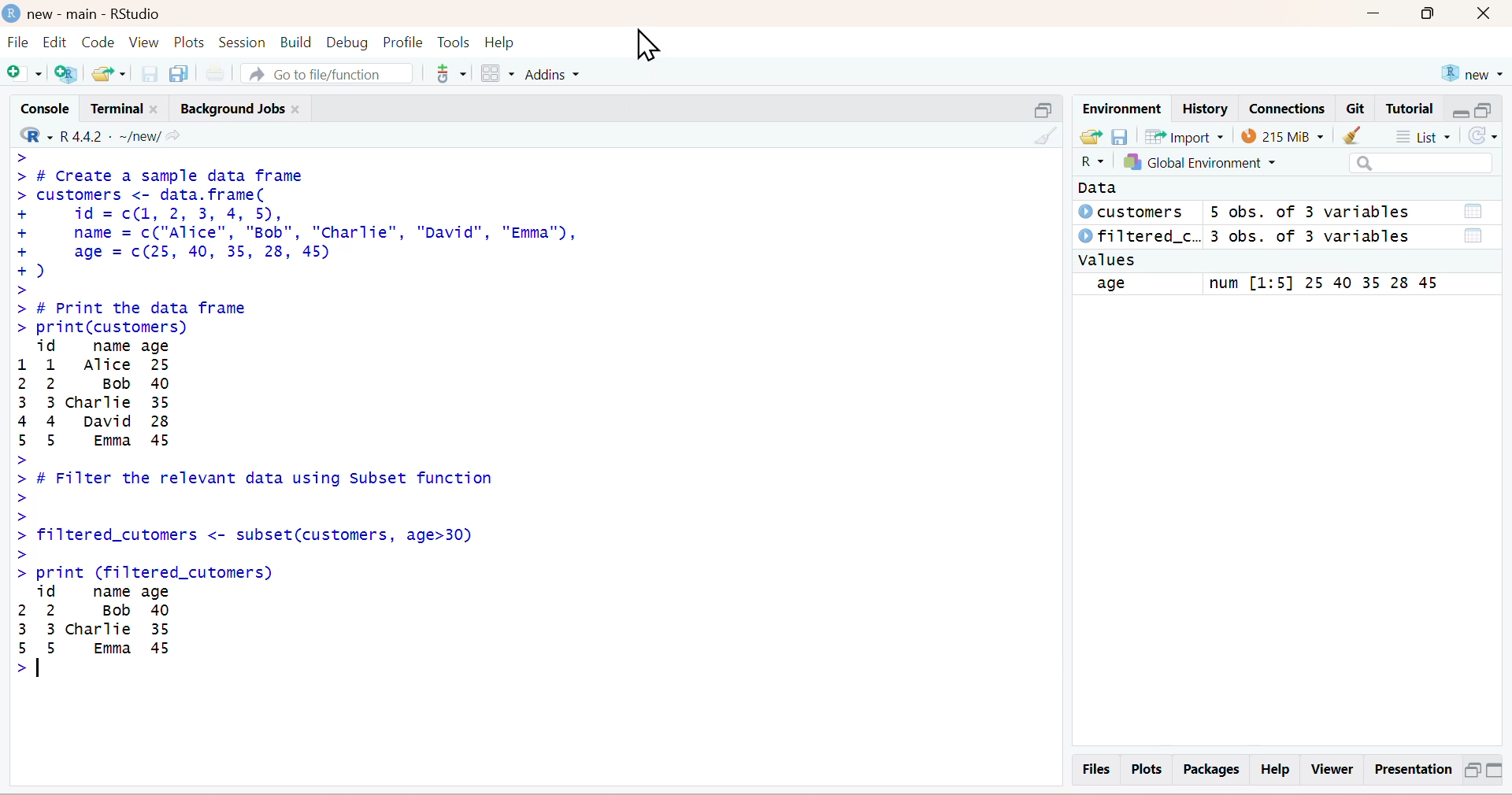 This screenshot has width=1512, height=795. Describe the element at coordinates (1410, 770) in the screenshot. I see `Presentation` at that location.